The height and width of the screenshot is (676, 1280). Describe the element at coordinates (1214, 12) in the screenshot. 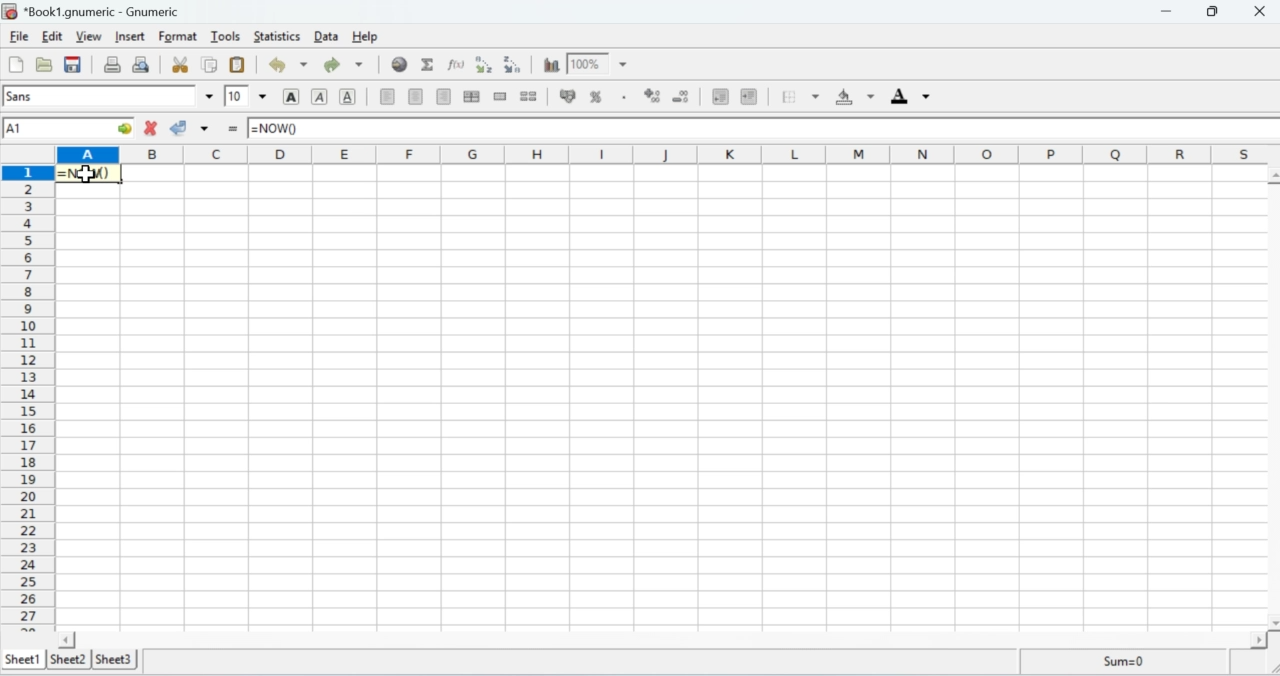

I see `Restore down` at that location.